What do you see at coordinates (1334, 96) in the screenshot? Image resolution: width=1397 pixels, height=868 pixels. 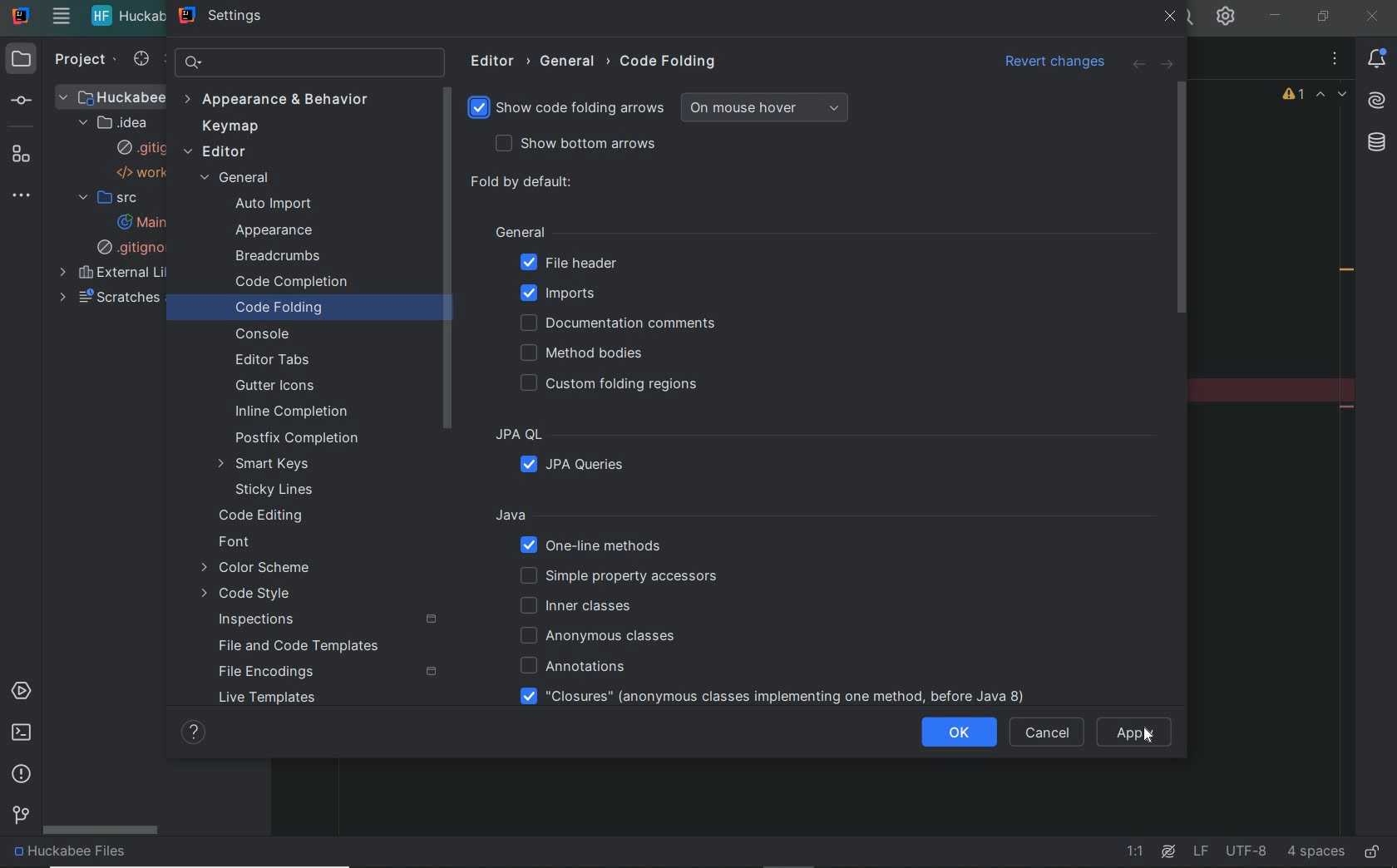 I see `previous and next warnings` at bounding box center [1334, 96].